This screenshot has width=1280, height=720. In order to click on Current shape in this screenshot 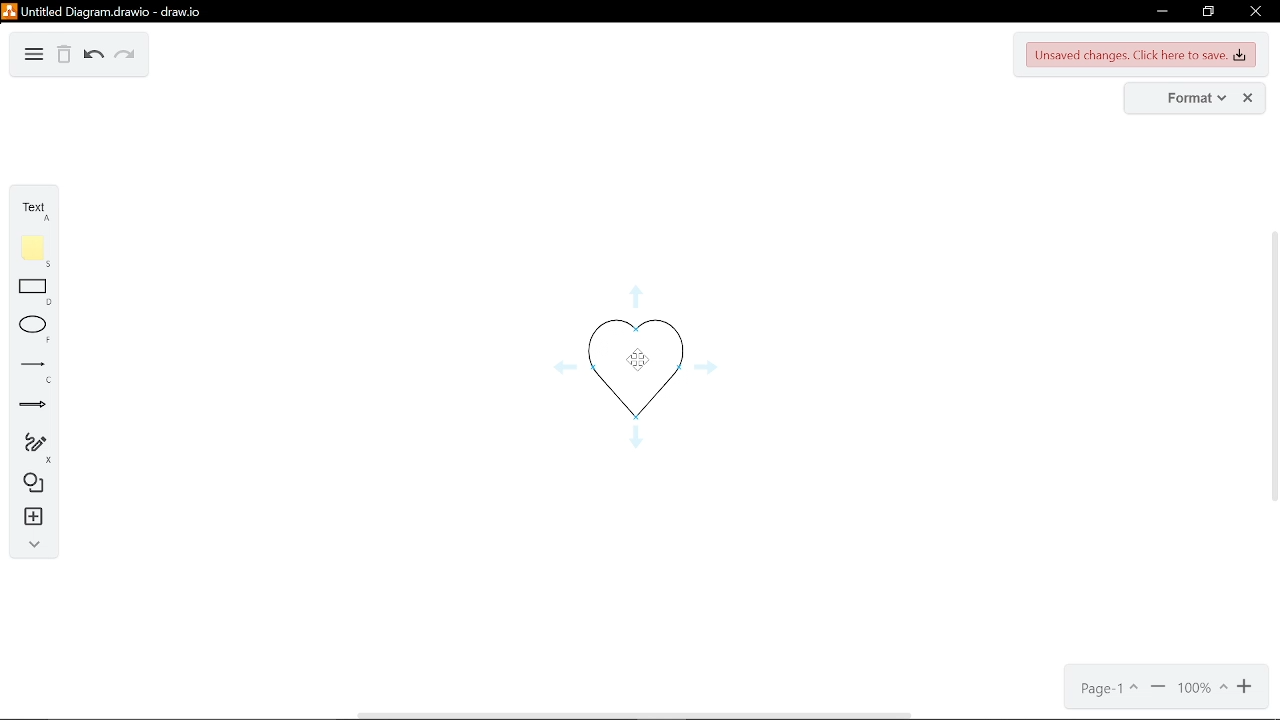, I will do `click(628, 386)`.